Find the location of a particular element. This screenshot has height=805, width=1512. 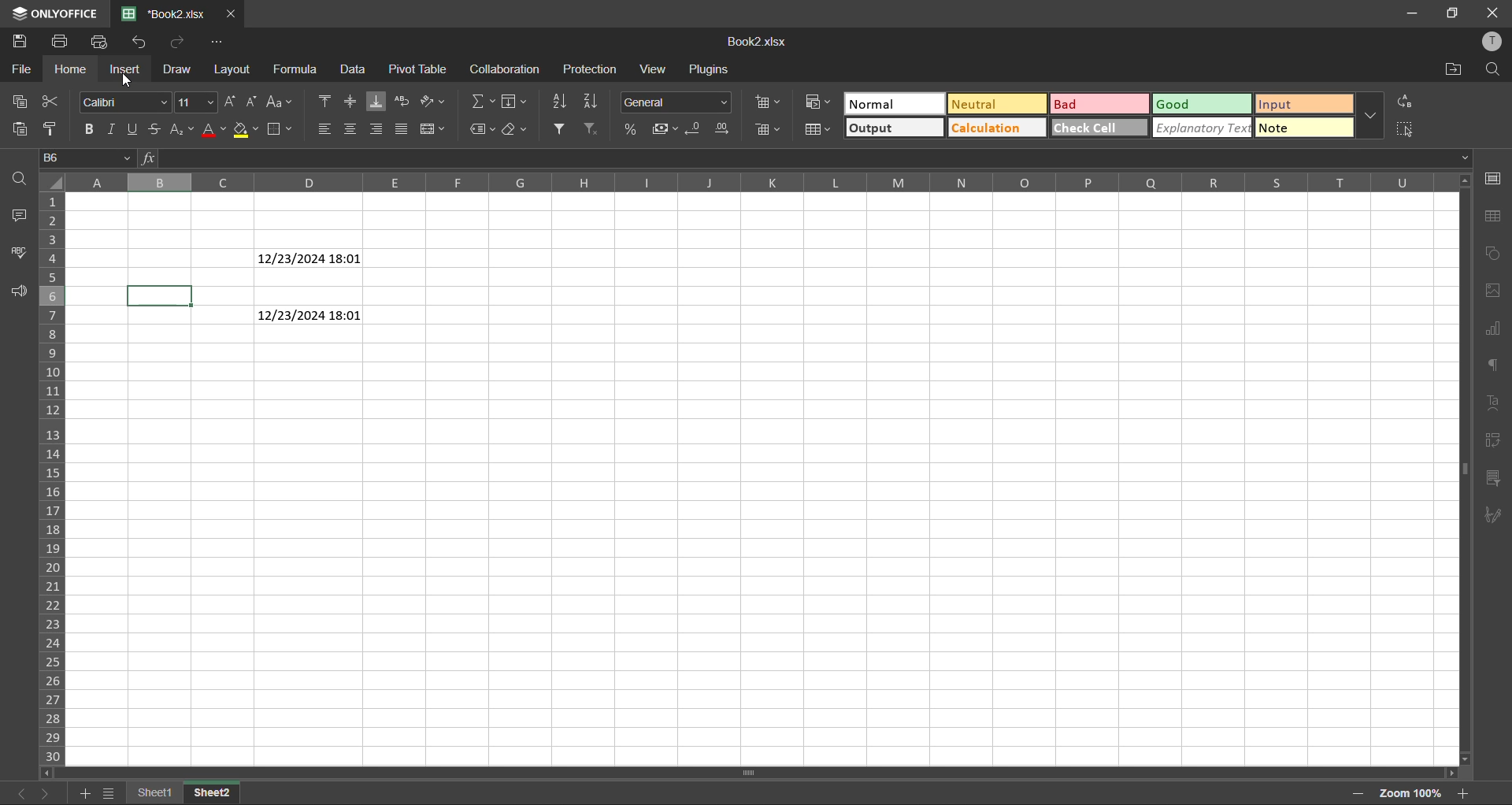

explanatory text is located at coordinates (1205, 128).